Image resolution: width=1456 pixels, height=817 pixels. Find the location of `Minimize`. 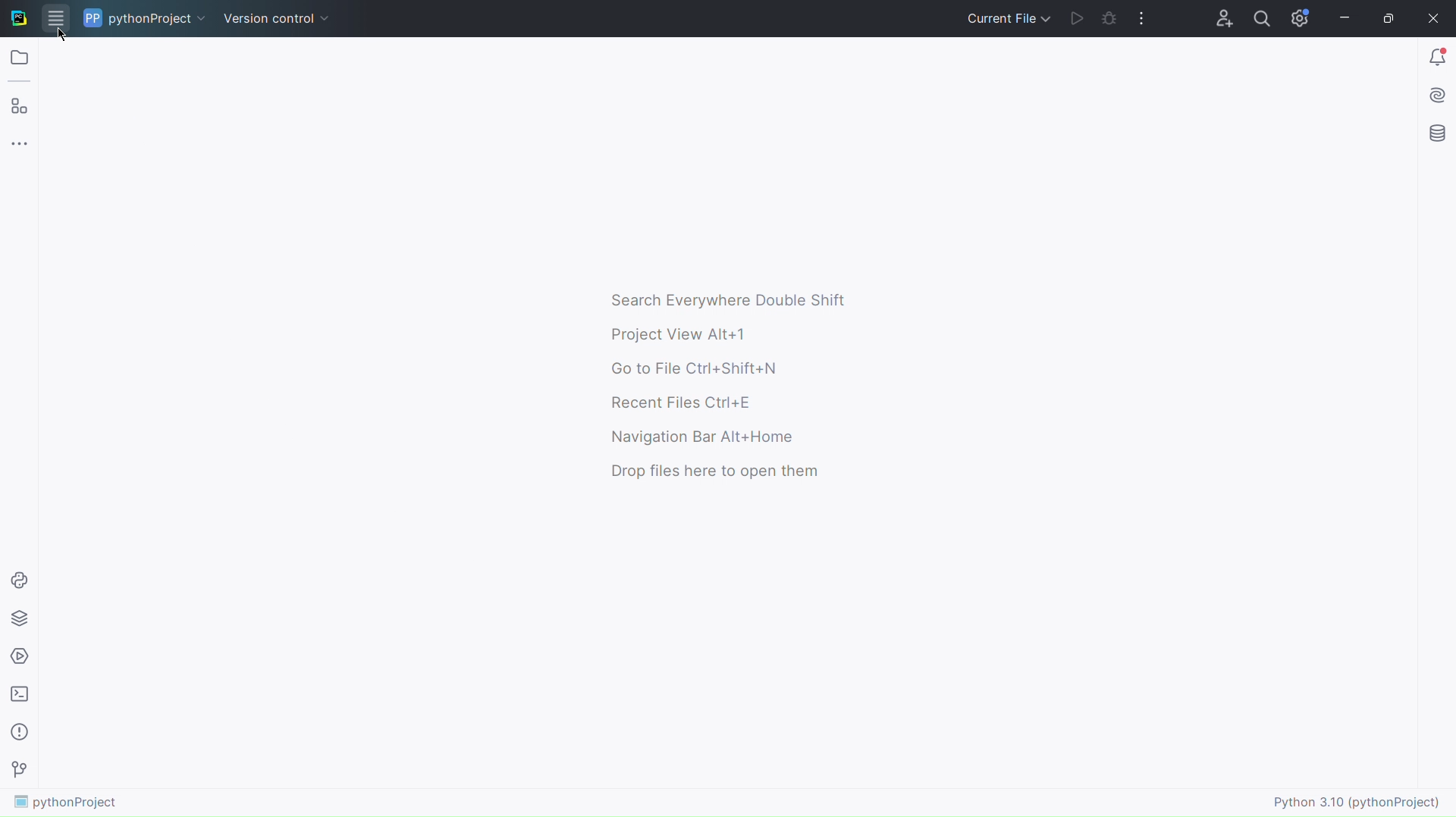

Minimize is located at coordinates (1342, 17).